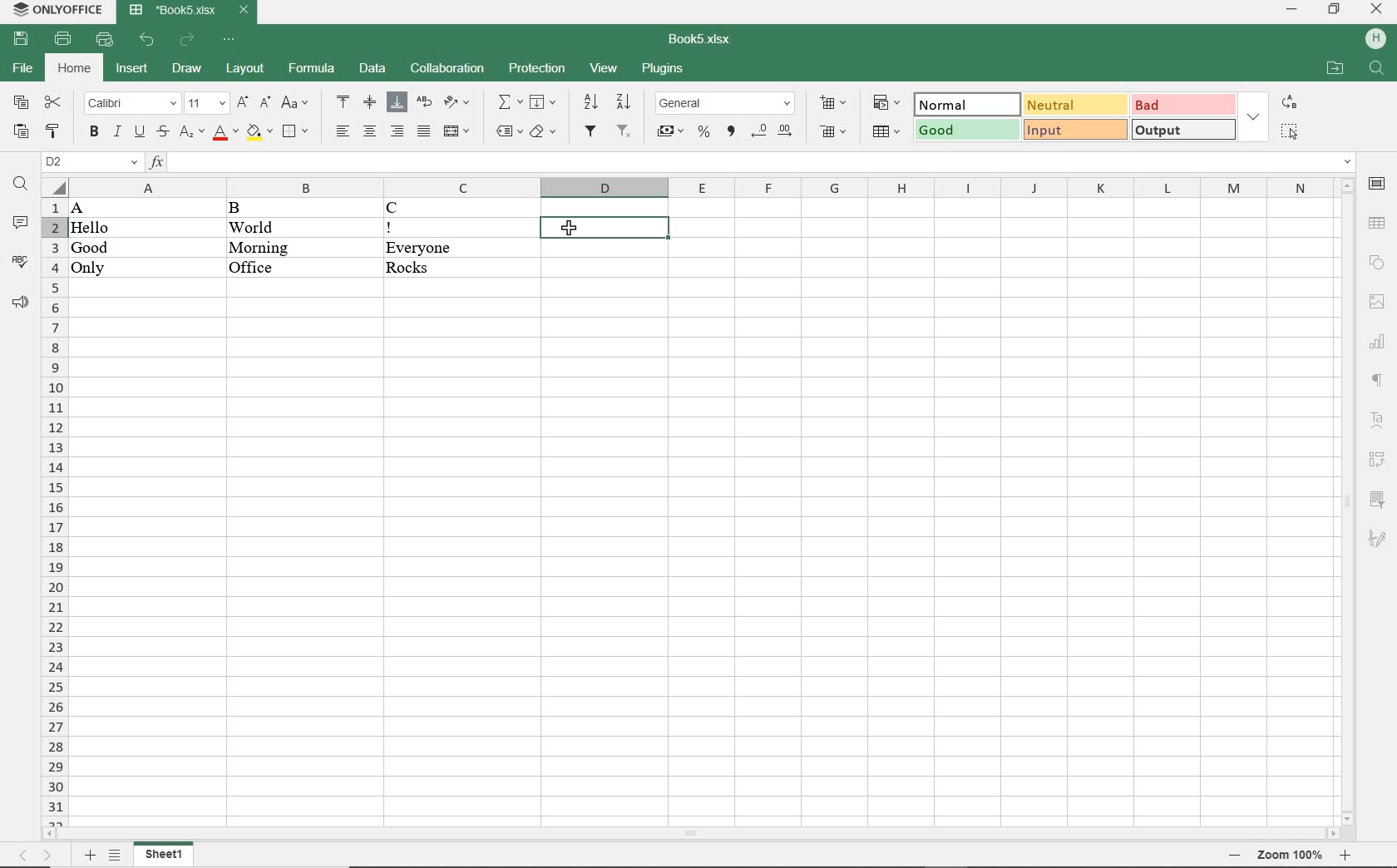 This screenshot has width=1397, height=868. I want to click on ALIGN LEFT, so click(343, 131).